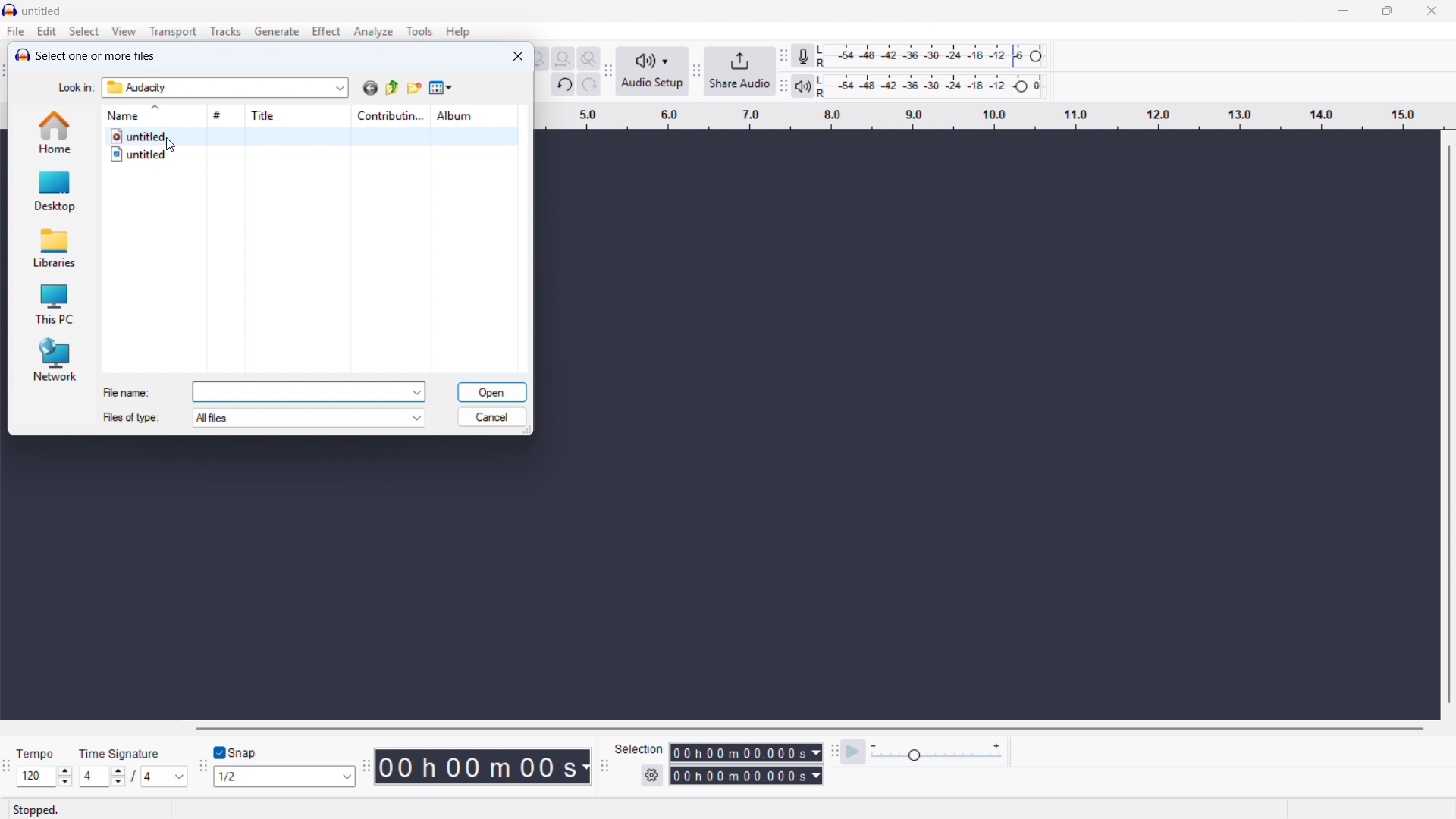  What do you see at coordinates (652, 775) in the screenshot?
I see `Selection settings ` at bounding box center [652, 775].